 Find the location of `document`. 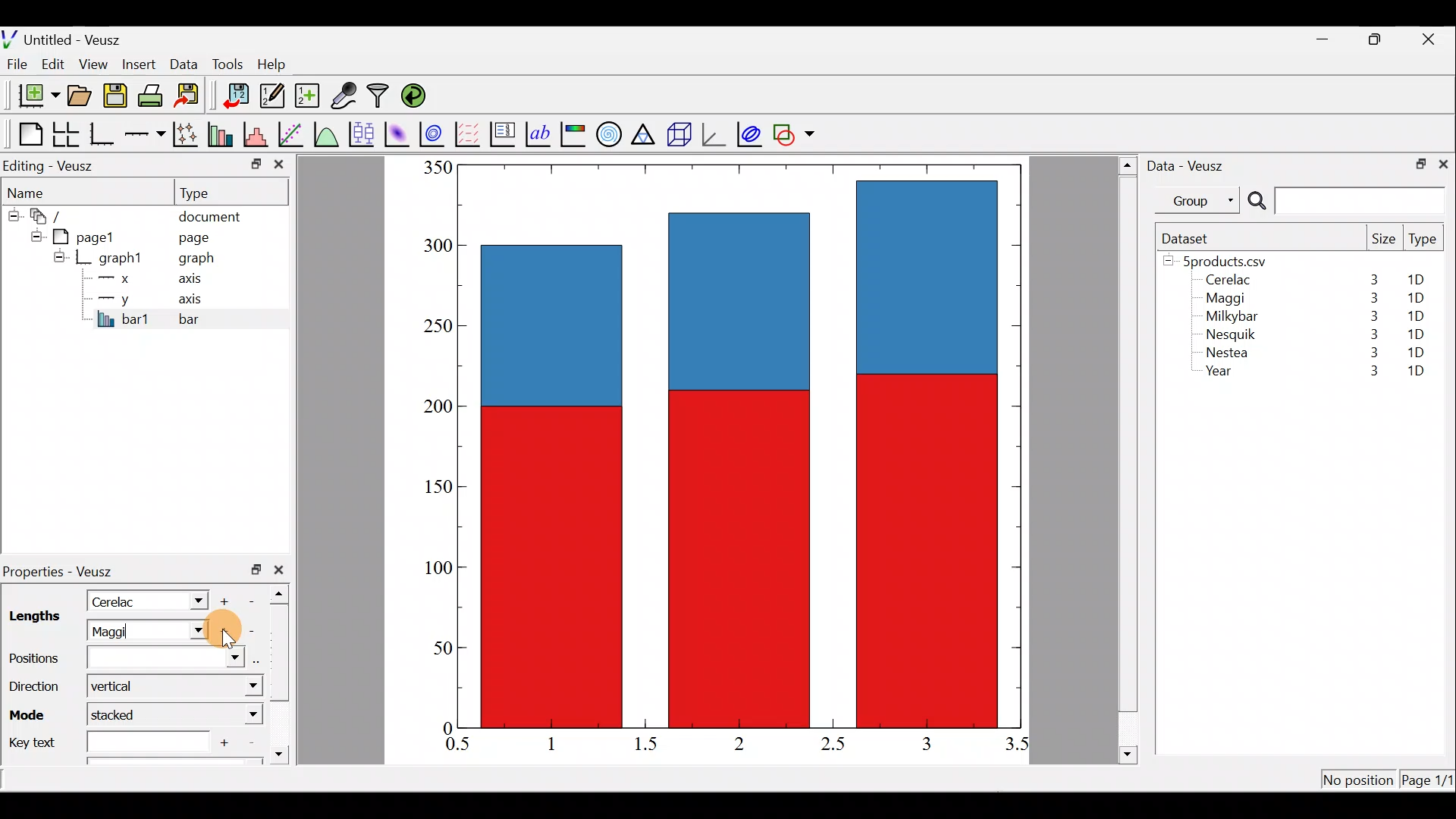

document is located at coordinates (209, 214).